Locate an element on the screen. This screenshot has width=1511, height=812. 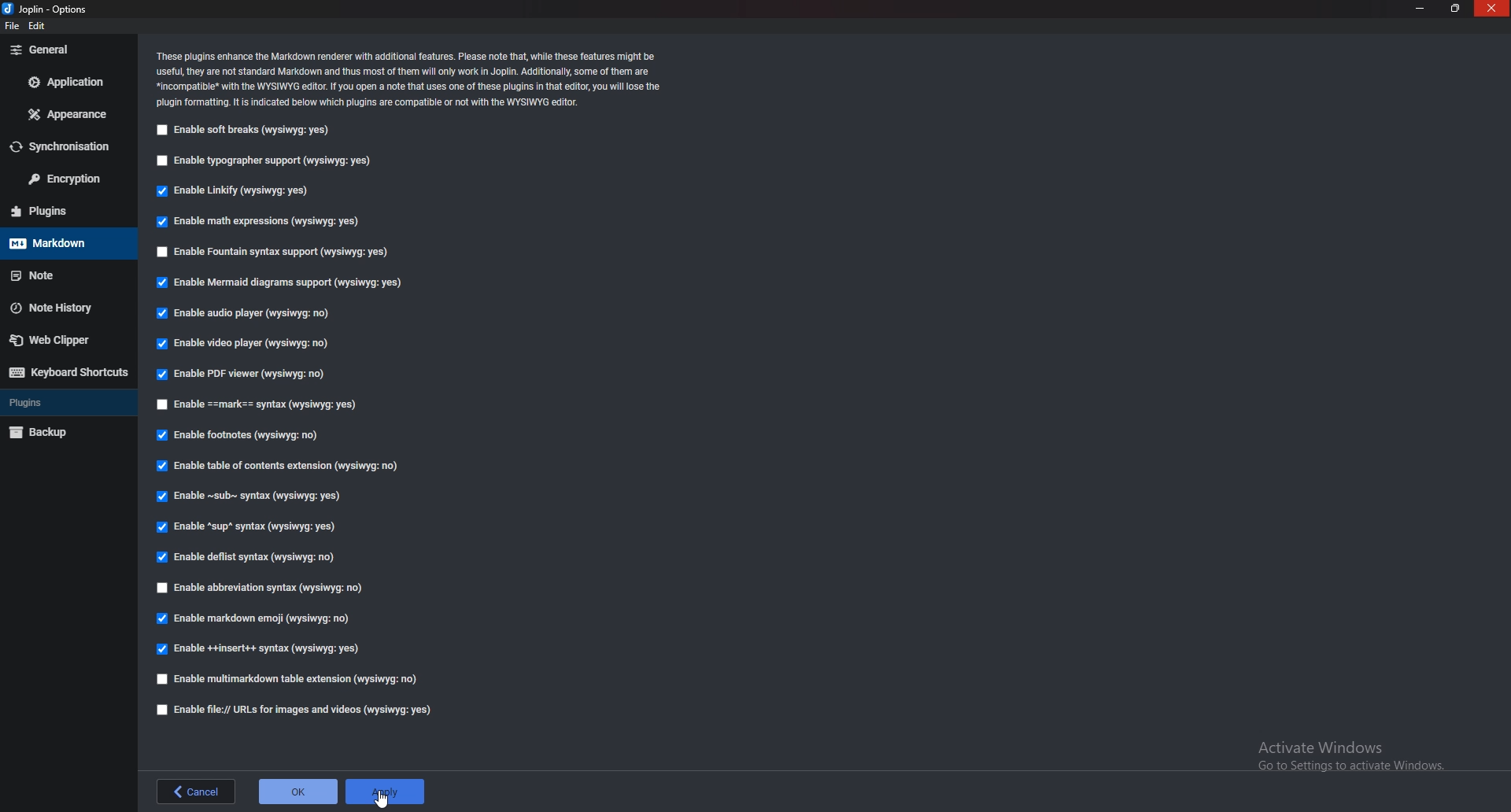
Mark down is located at coordinates (64, 244).